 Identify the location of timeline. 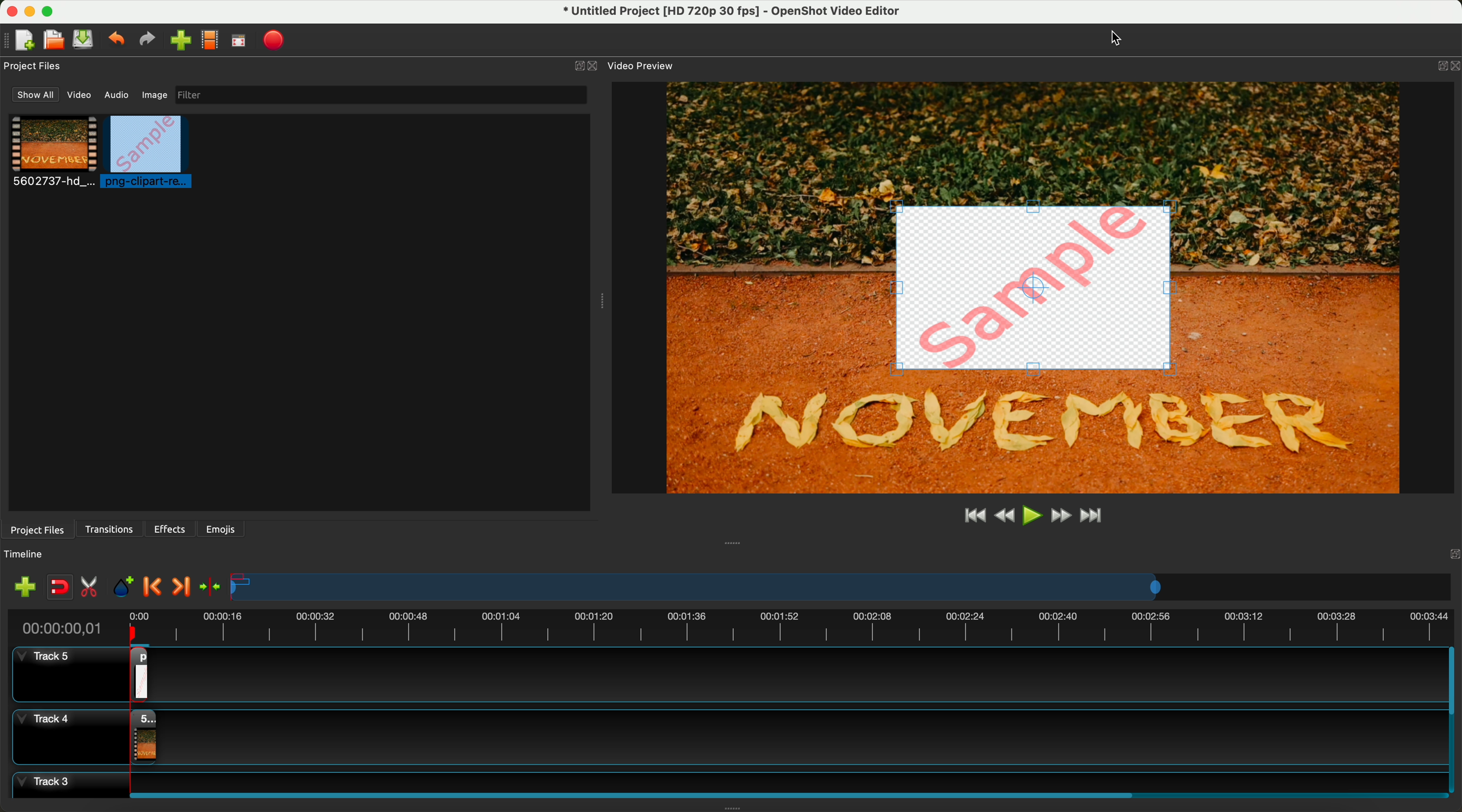
(842, 588).